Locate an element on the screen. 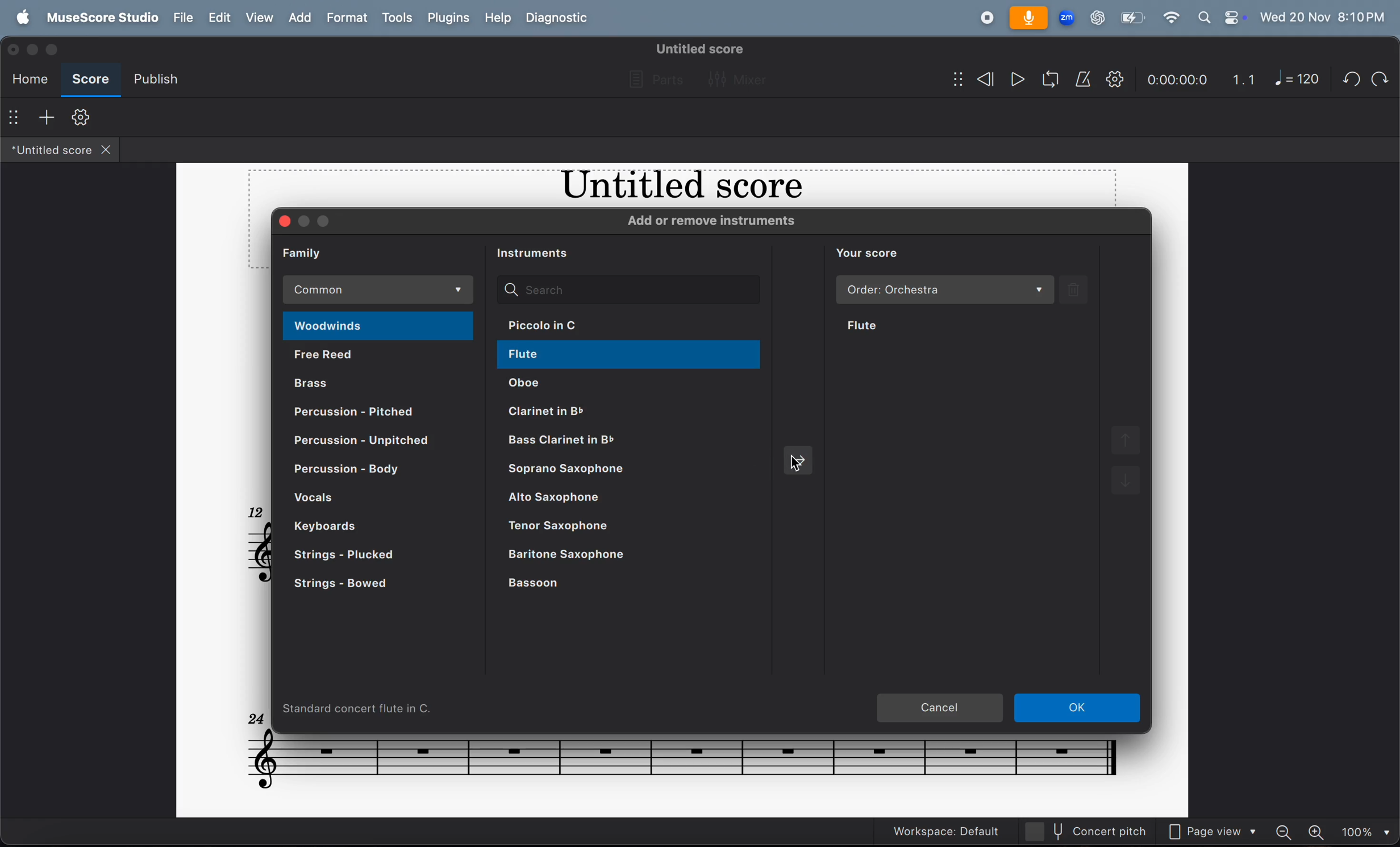 This screenshot has height=847, width=1400. view is located at coordinates (259, 18).